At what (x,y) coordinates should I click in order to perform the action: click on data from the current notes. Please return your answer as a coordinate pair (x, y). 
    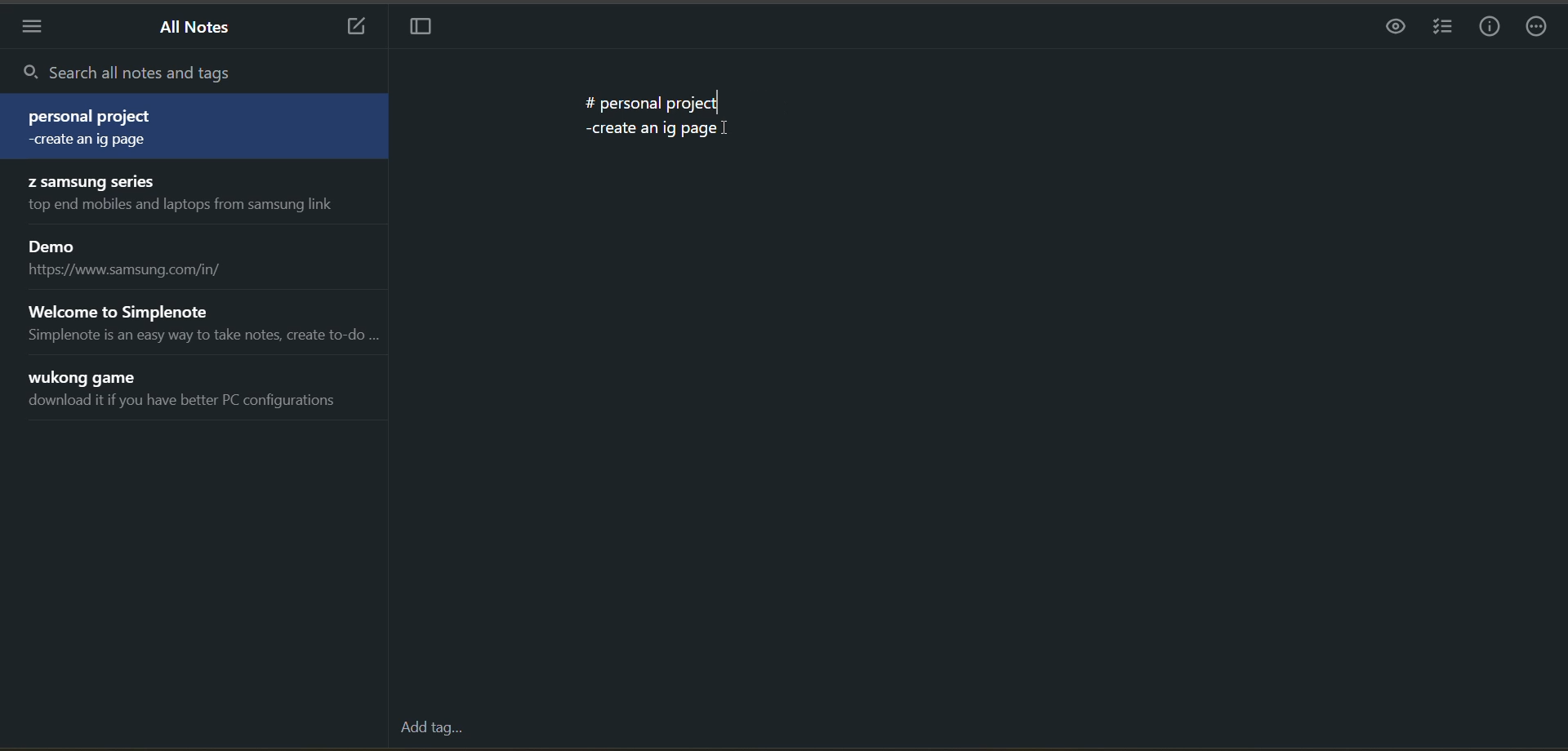
    Looking at the image, I should click on (684, 118).